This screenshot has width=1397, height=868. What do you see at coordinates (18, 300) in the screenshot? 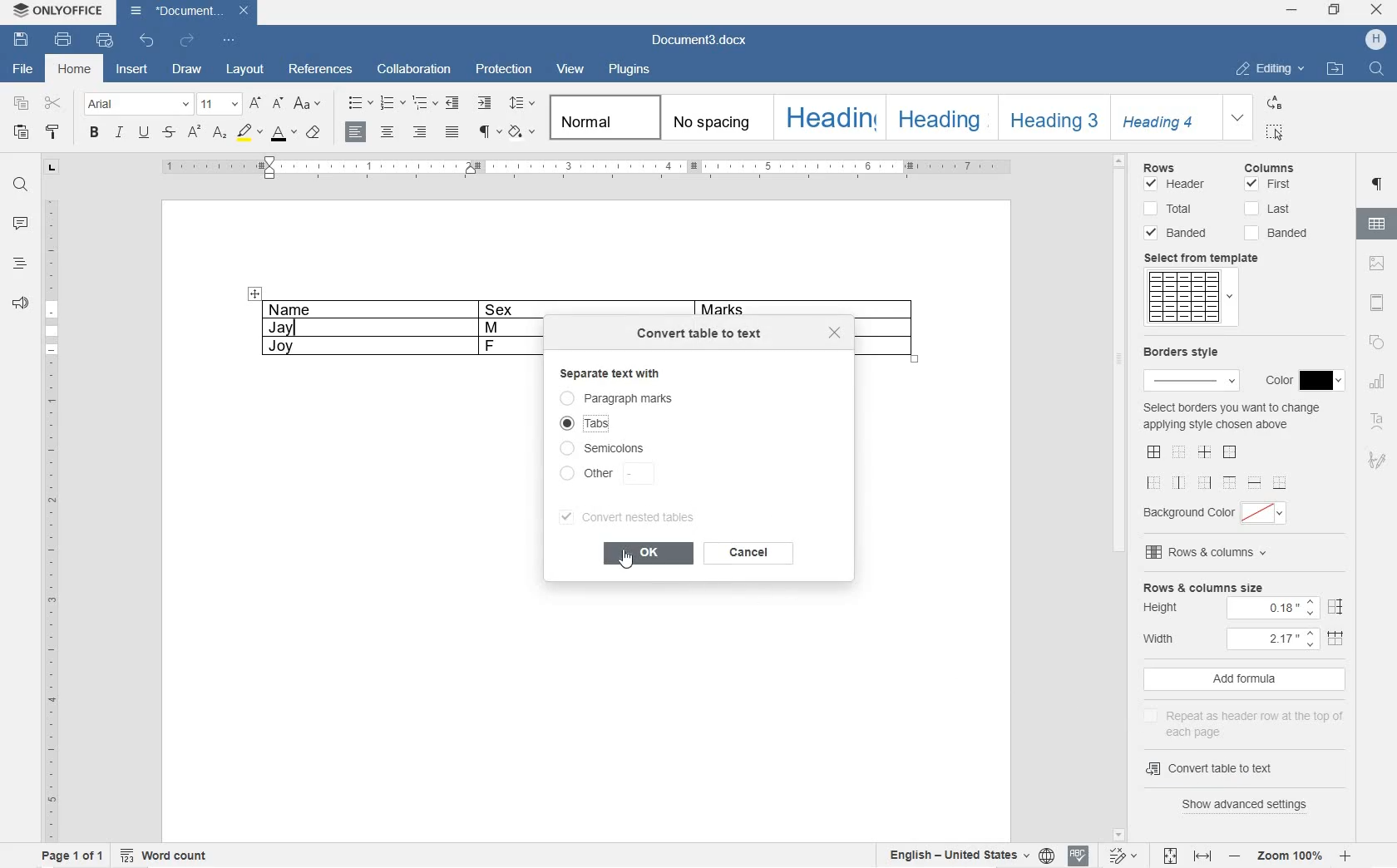
I see `FEEDBACK & SUPPORT` at bounding box center [18, 300].